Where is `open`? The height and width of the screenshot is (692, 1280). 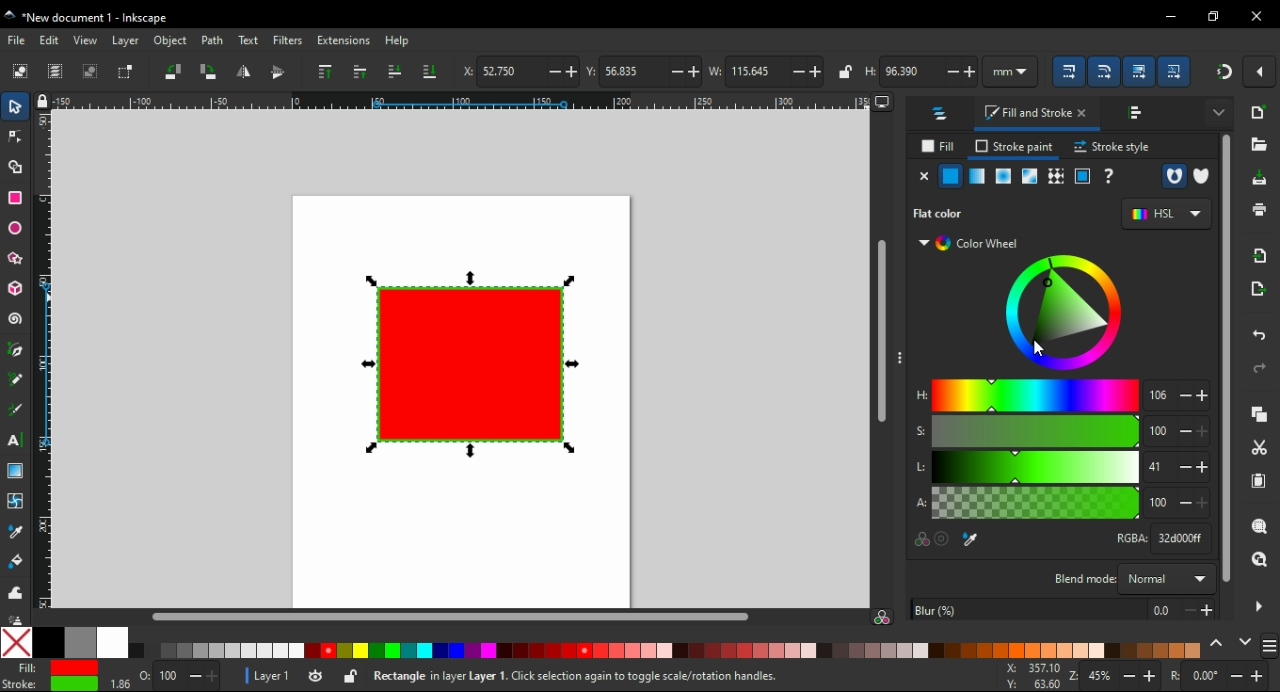 open is located at coordinates (1259, 146).